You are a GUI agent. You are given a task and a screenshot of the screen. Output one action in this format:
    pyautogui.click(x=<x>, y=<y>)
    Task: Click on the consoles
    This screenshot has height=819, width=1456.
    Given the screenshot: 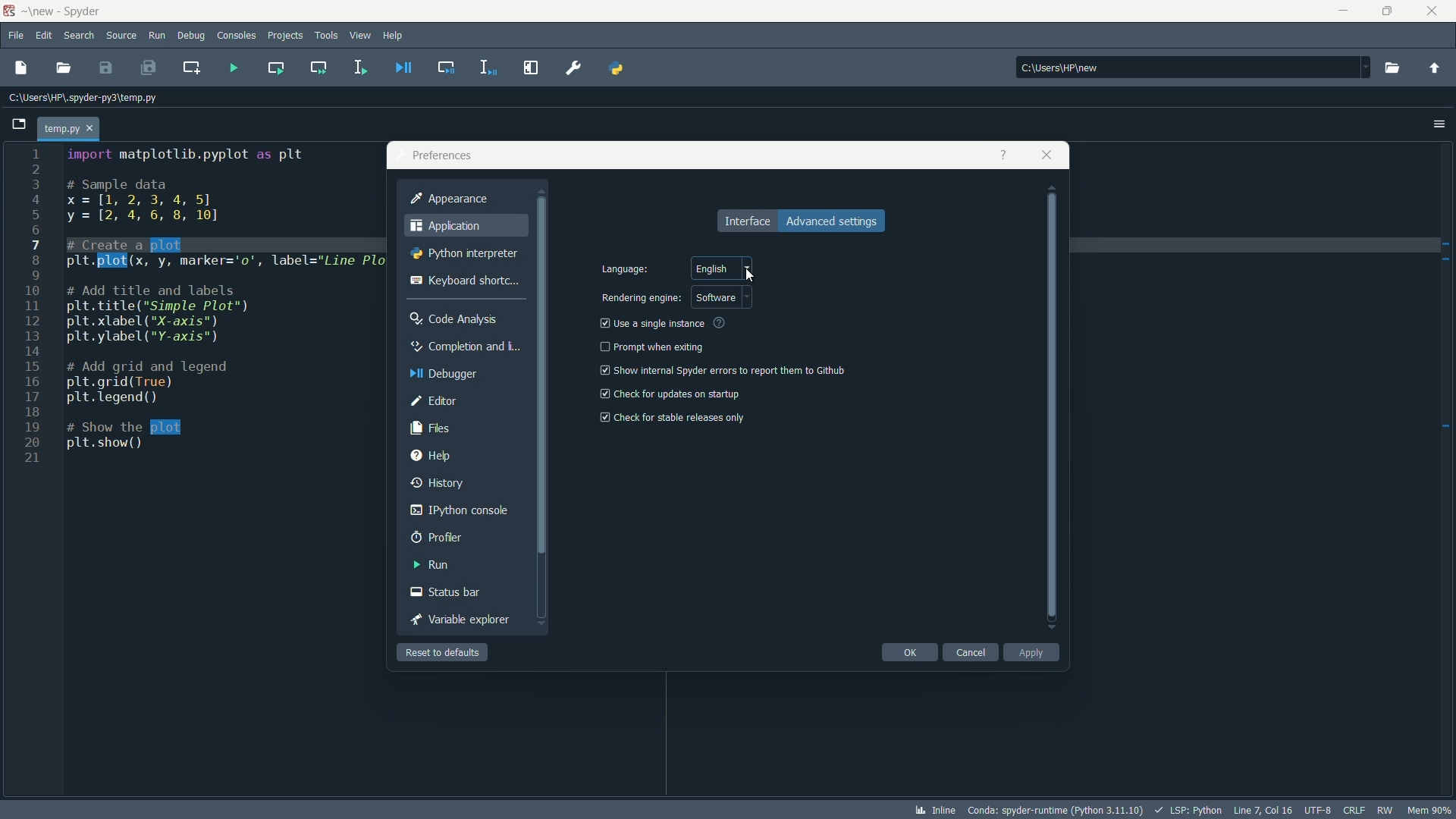 What is the action you would take?
    pyautogui.click(x=239, y=36)
    